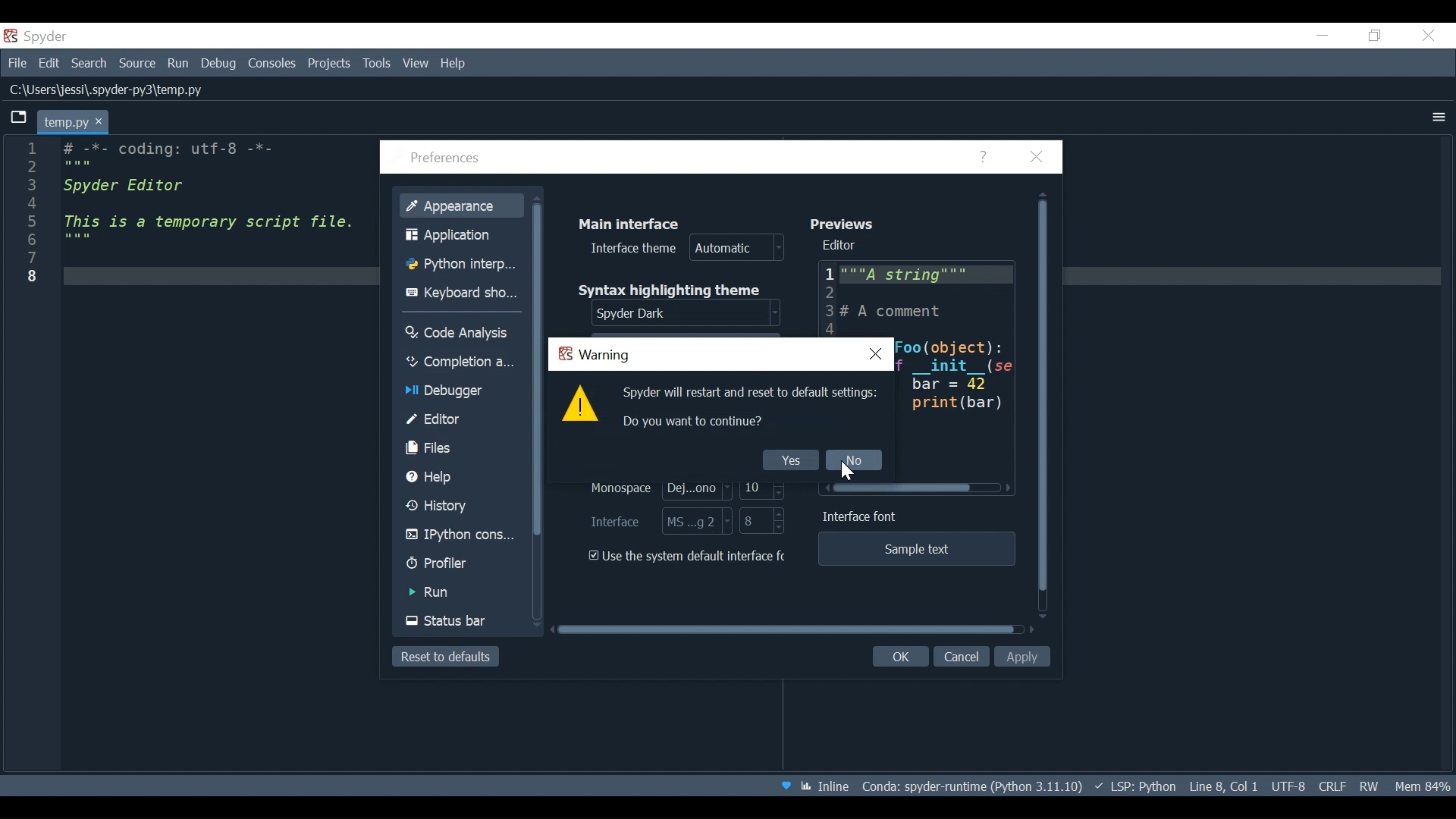 This screenshot has height=819, width=1456. What do you see at coordinates (763, 487) in the screenshot?
I see `Monospace Font Size` at bounding box center [763, 487].